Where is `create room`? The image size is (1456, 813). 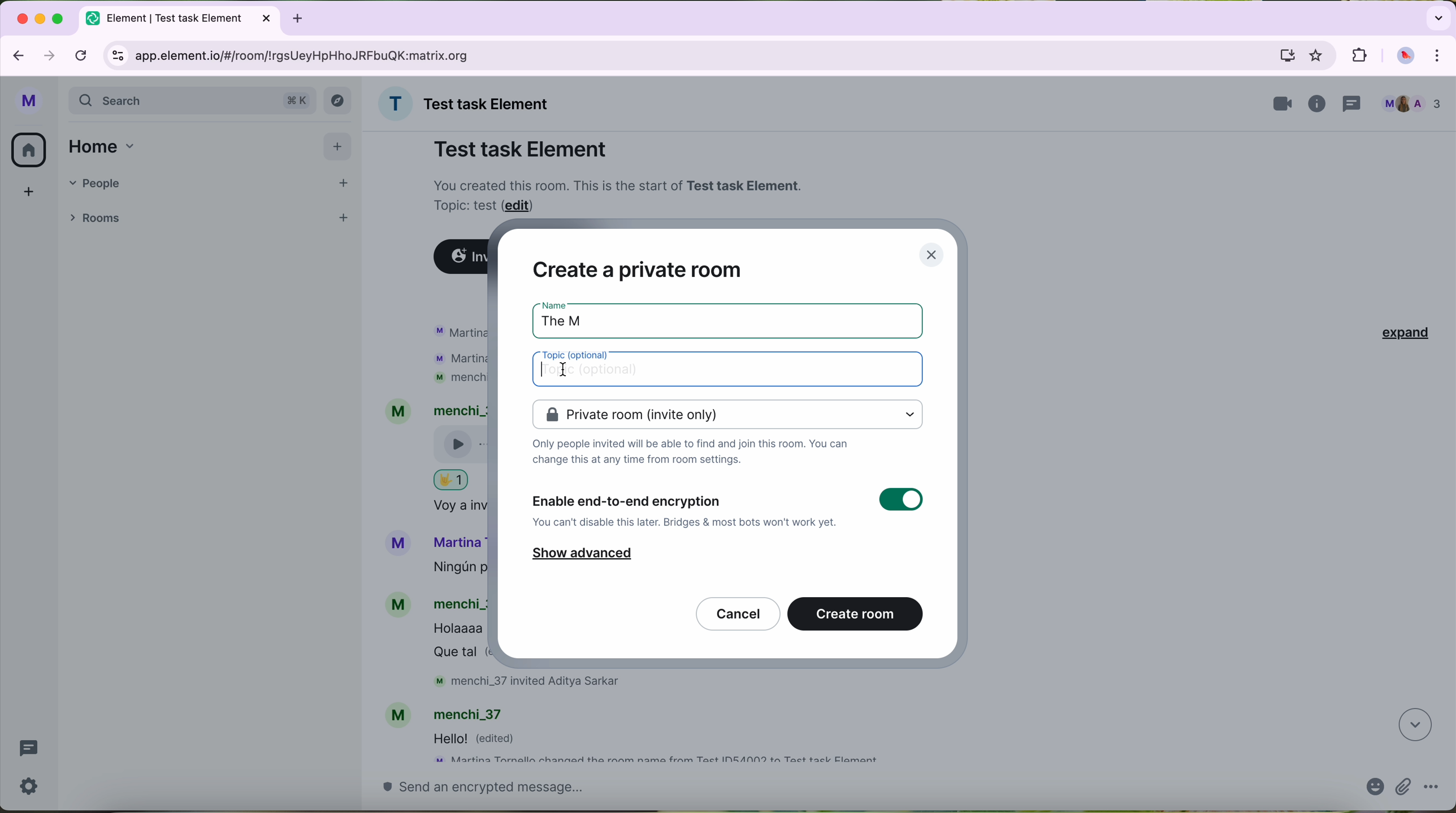 create room is located at coordinates (856, 613).